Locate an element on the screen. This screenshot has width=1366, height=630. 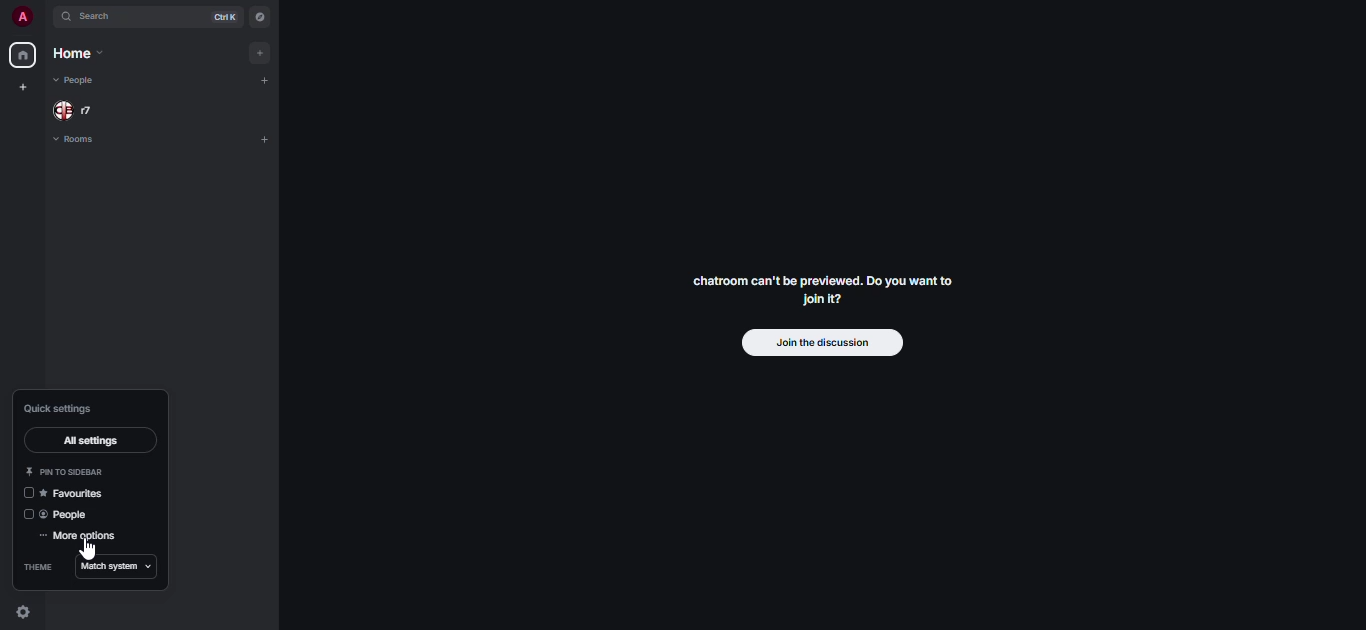
home is located at coordinates (86, 54).